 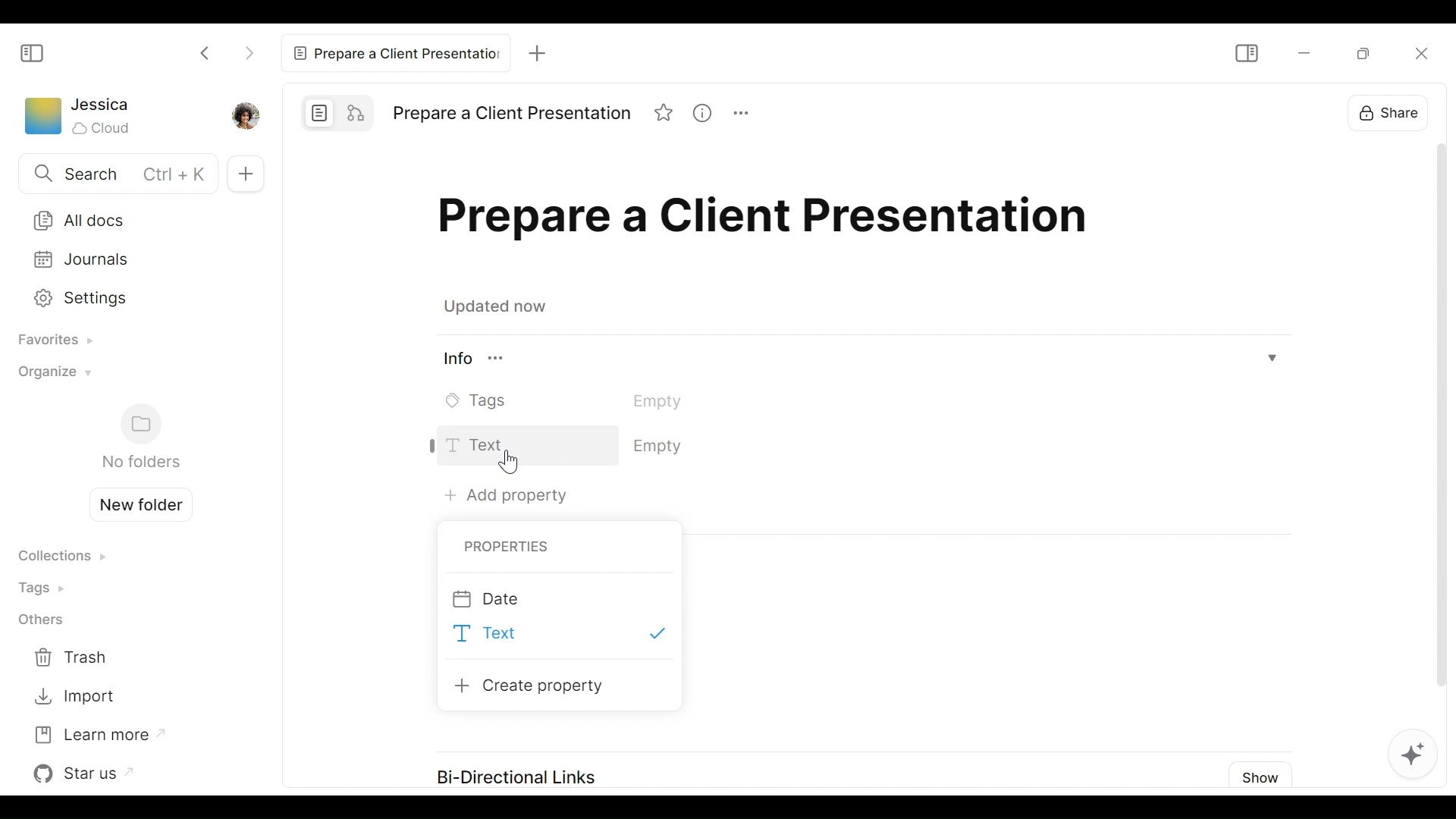 I want to click on Tags, so click(x=585, y=400).